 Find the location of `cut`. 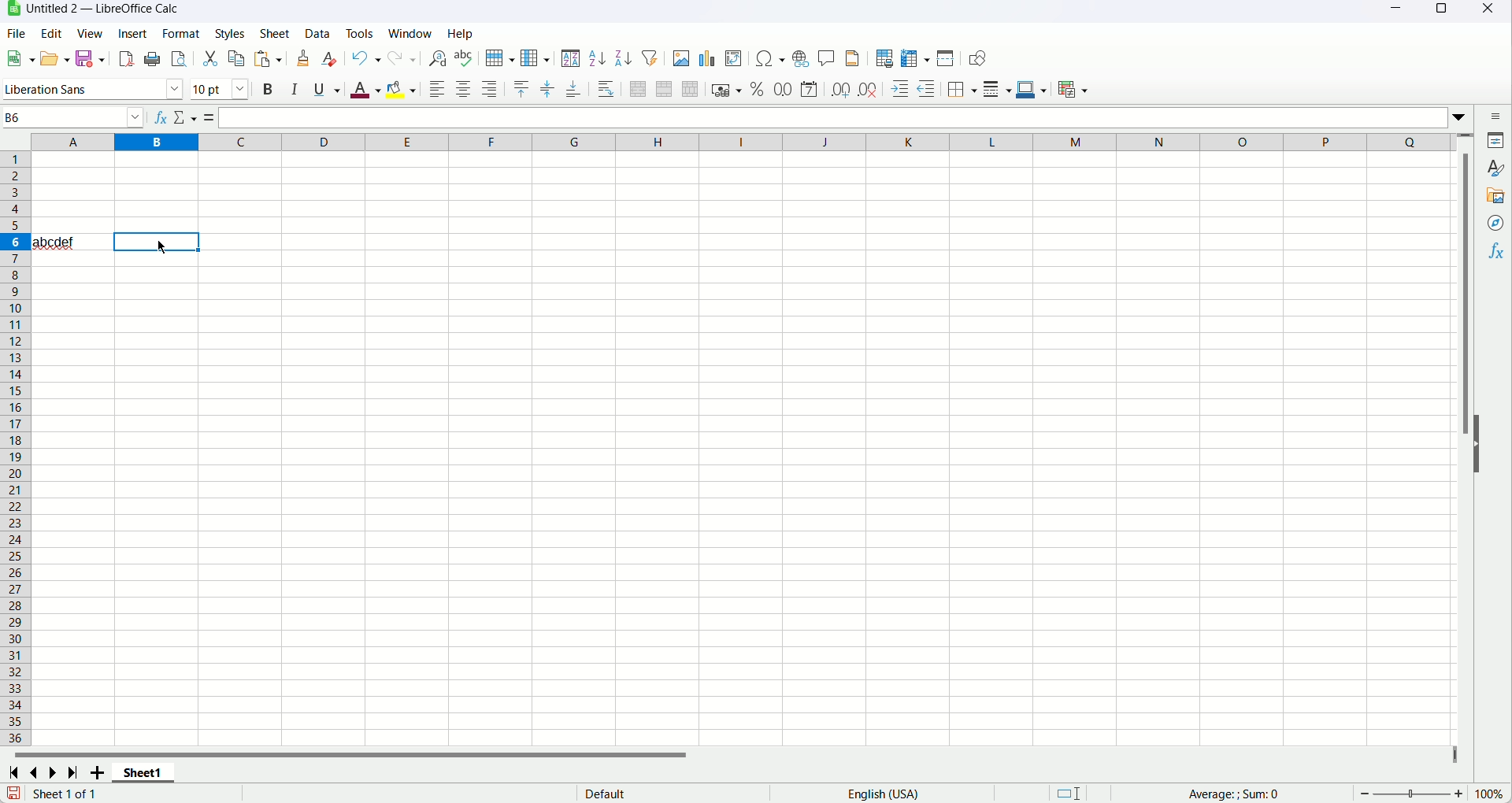

cut is located at coordinates (209, 60).